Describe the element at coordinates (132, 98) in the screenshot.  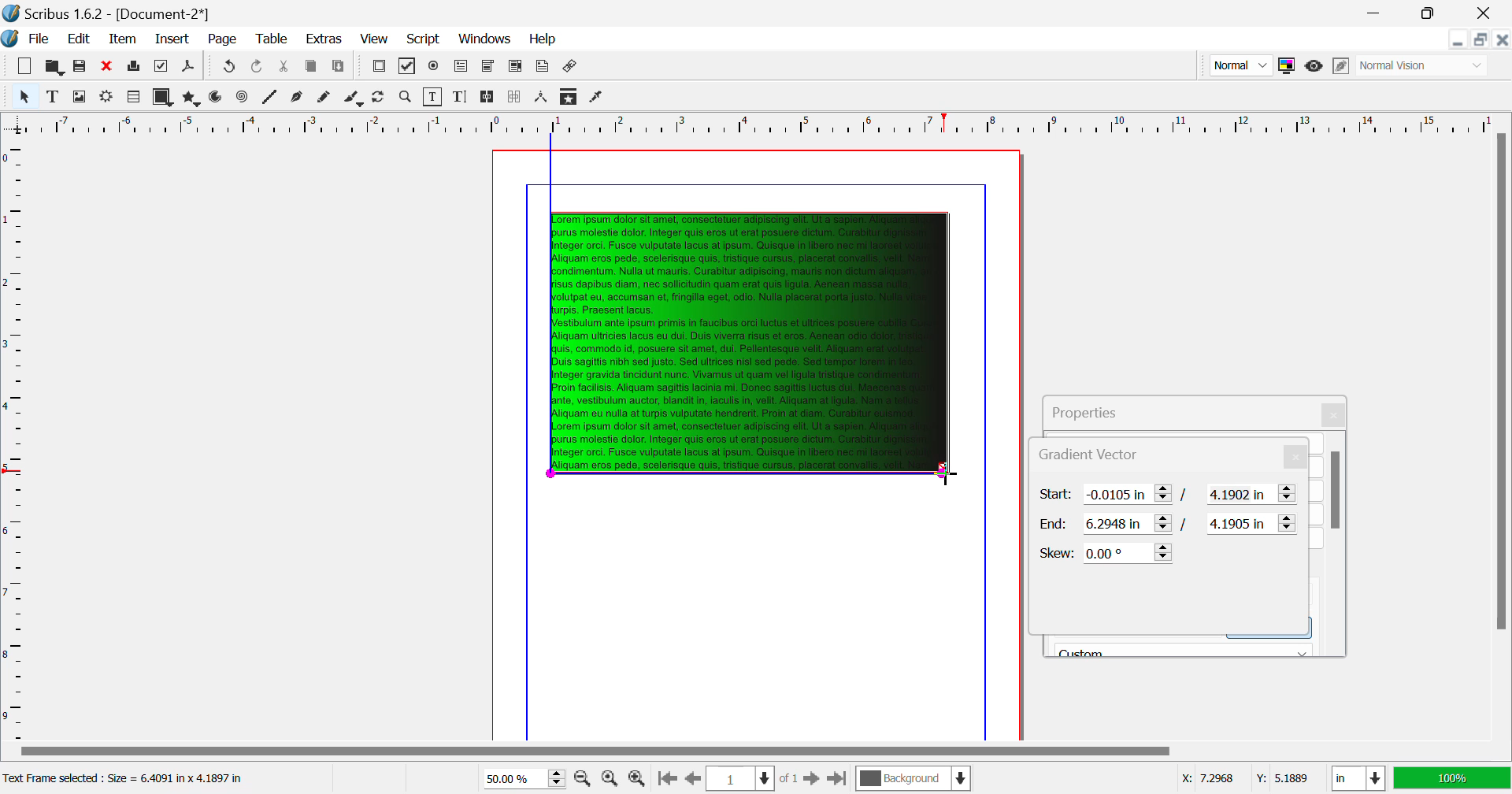
I see `Render Frame` at that location.